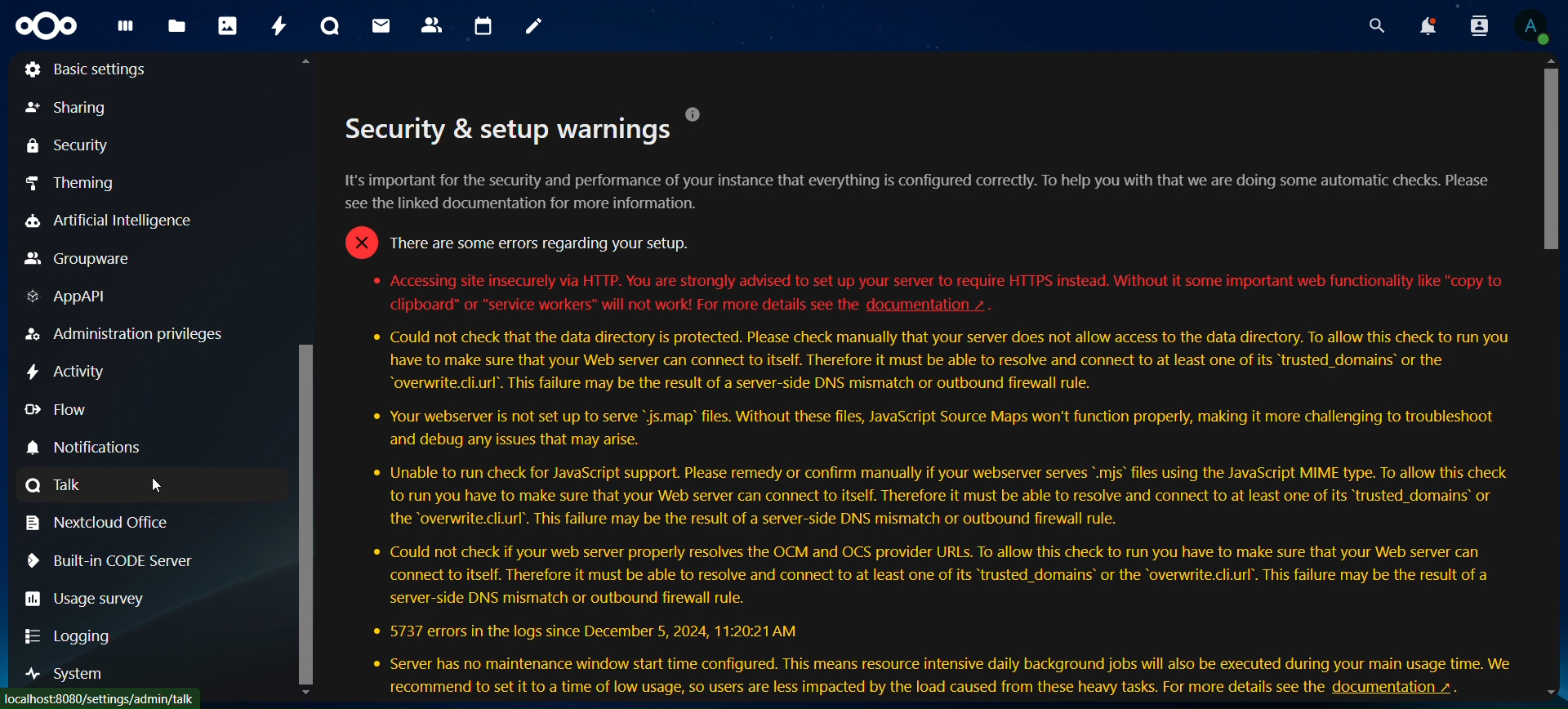  Describe the element at coordinates (90, 448) in the screenshot. I see `notifications` at that location.